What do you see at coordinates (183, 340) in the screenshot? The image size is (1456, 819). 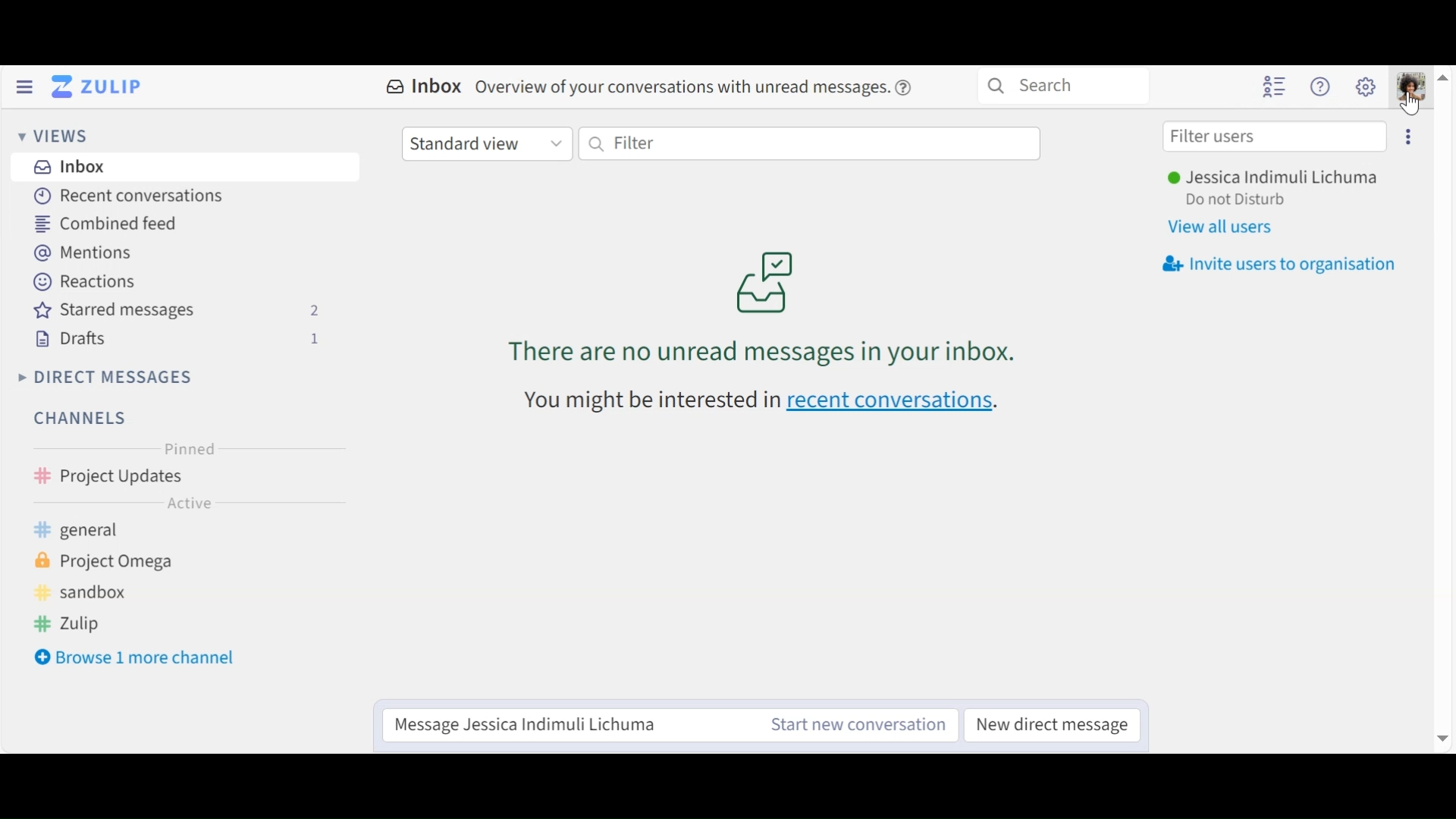 I see `Drafts` at bounding box center [183, 340].